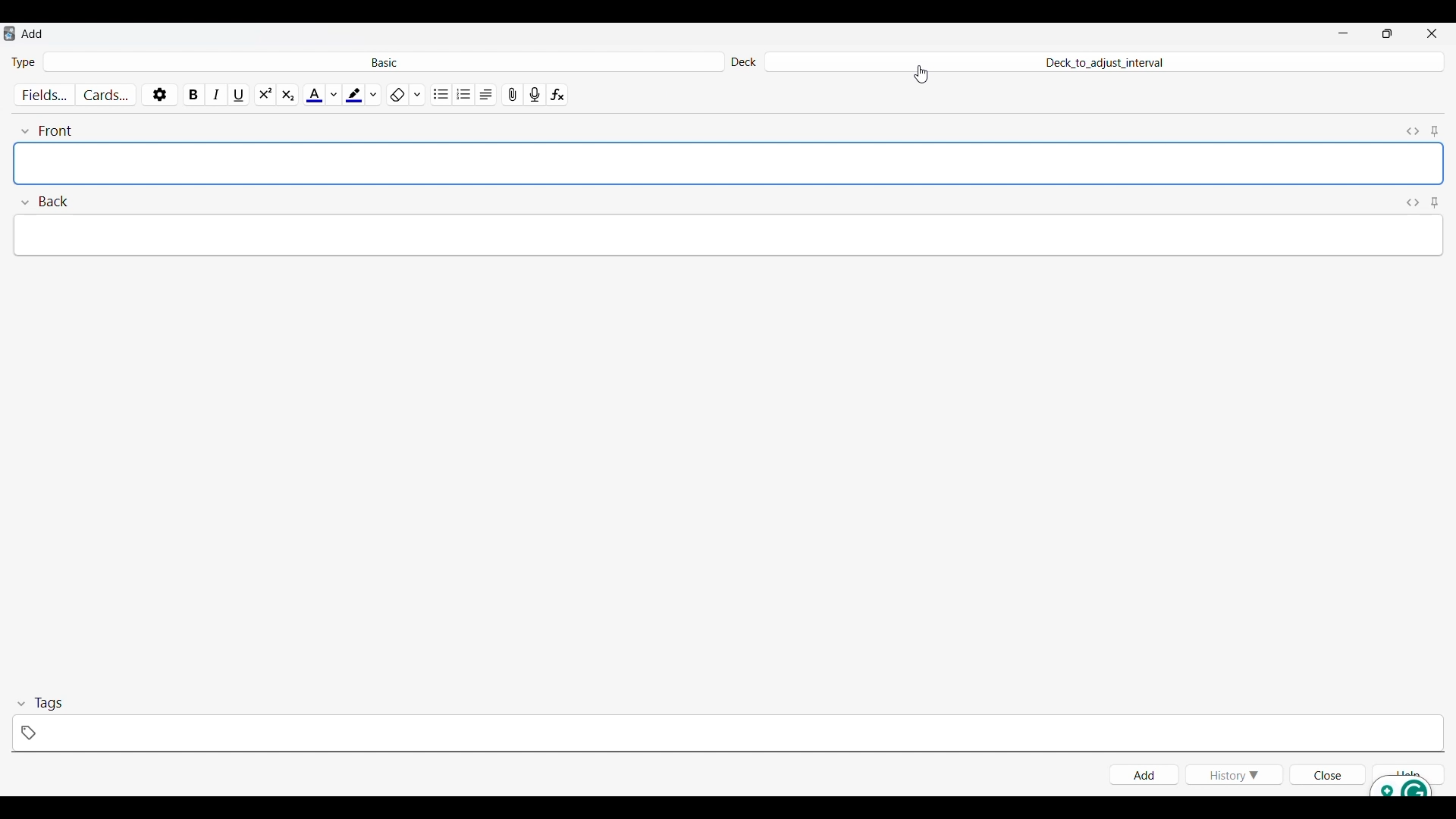  Describe the element at coordinates (535, 95) in the screenshot. I see `Record audio` at that location.